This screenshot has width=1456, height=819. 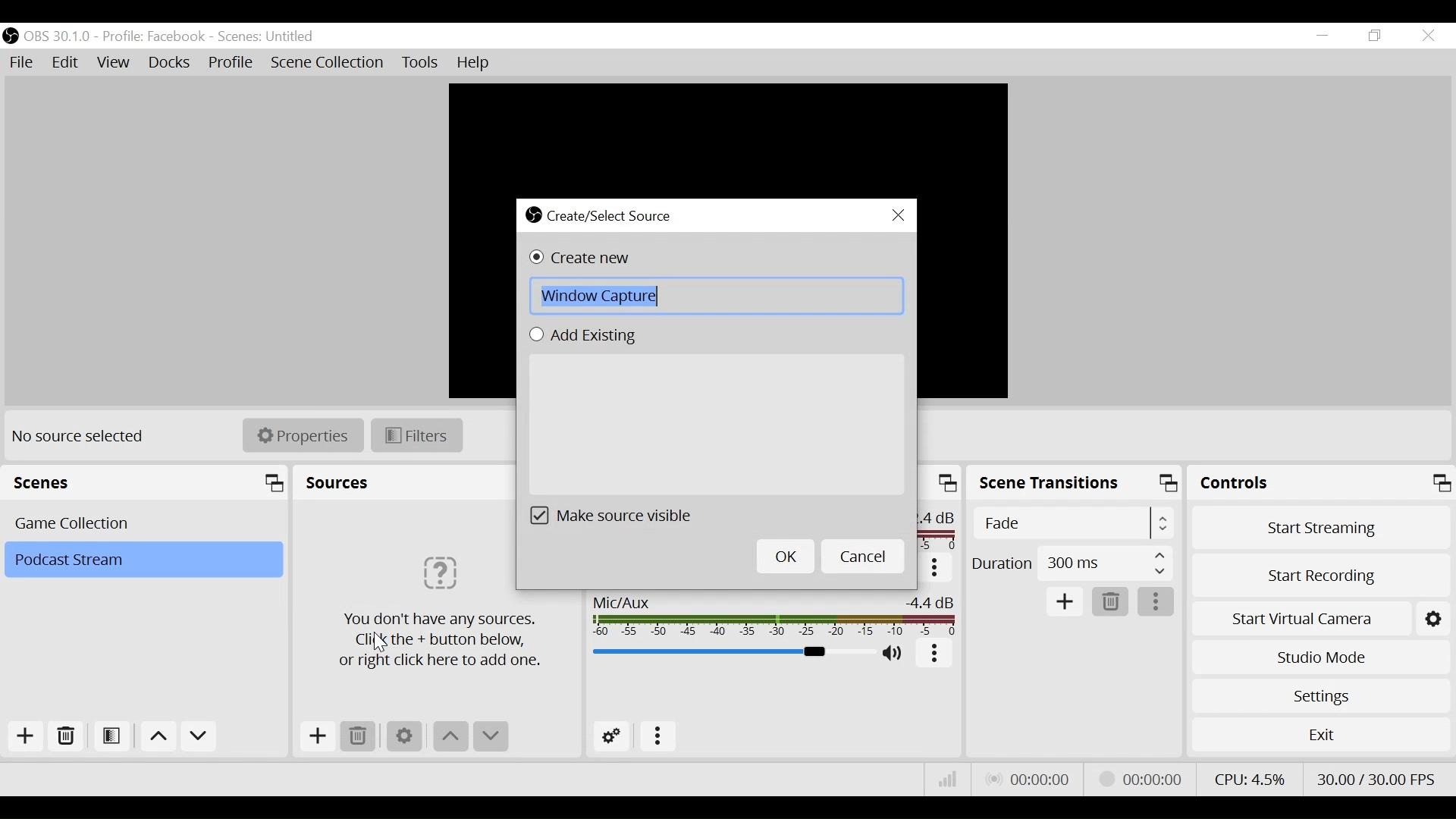 I want to click on Remove, so click(x=1109, y=601).